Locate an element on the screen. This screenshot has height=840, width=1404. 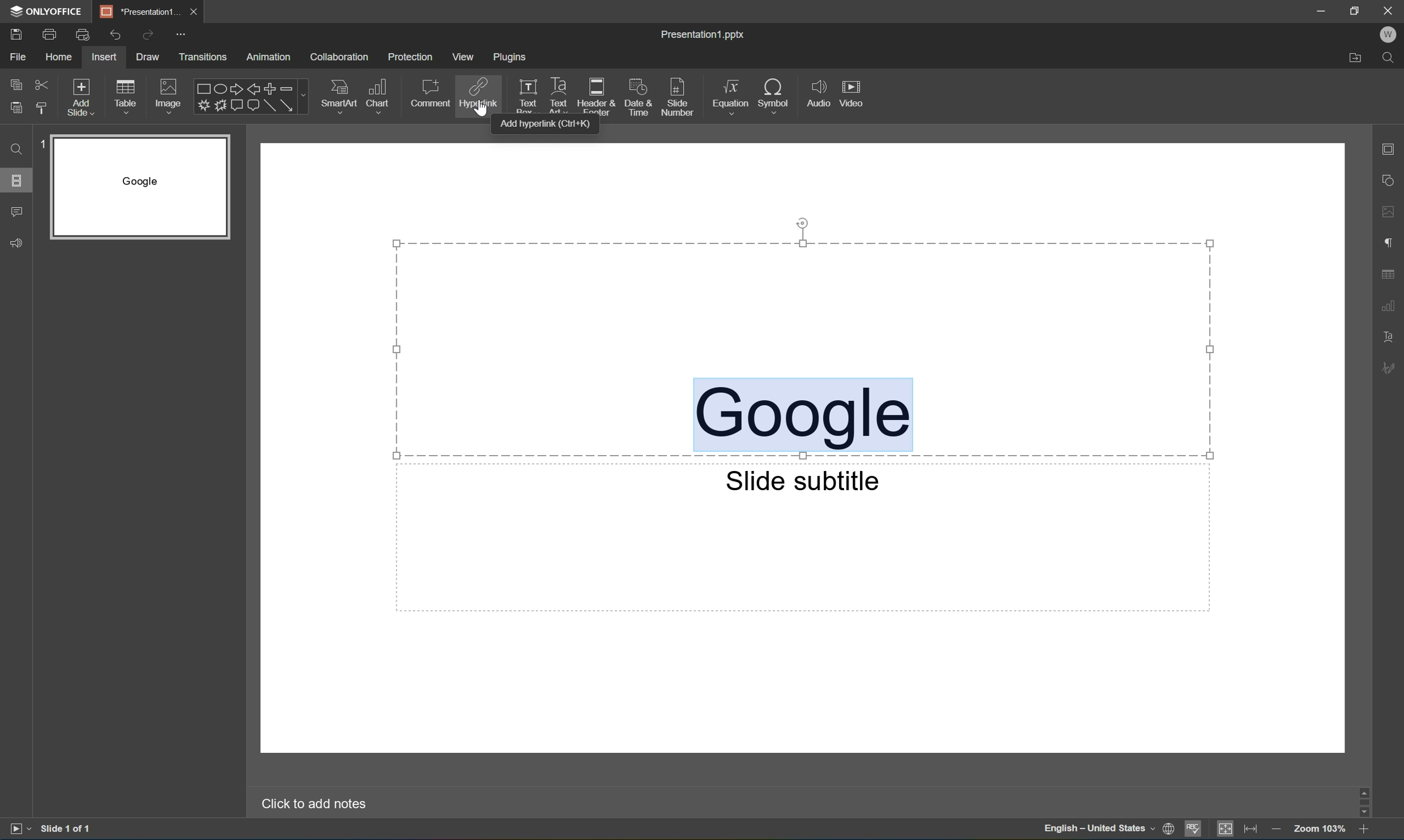
Draw is located at coordinates (147, 57).